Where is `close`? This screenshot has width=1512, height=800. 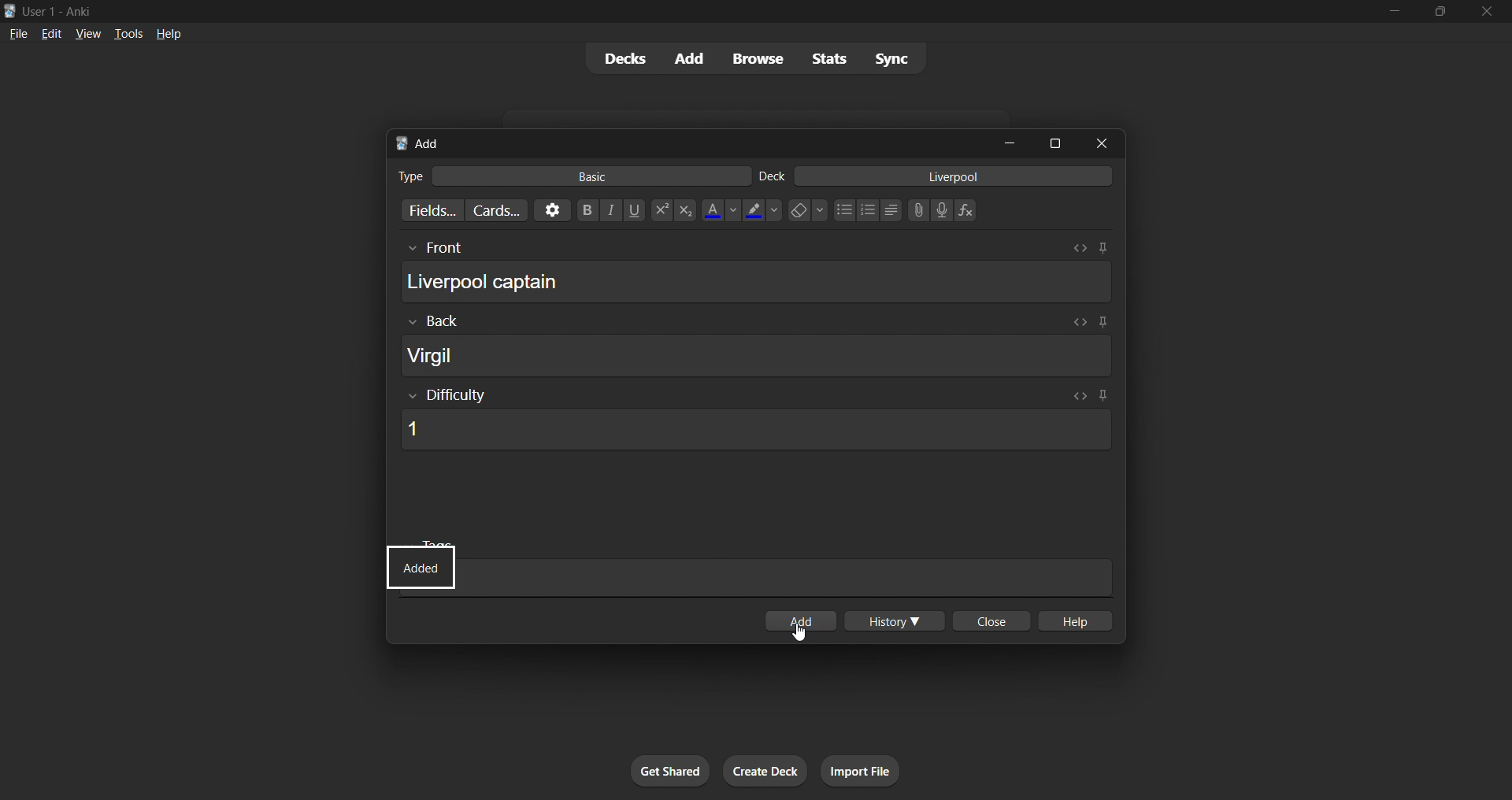 close is located at coordinates (991, 620).